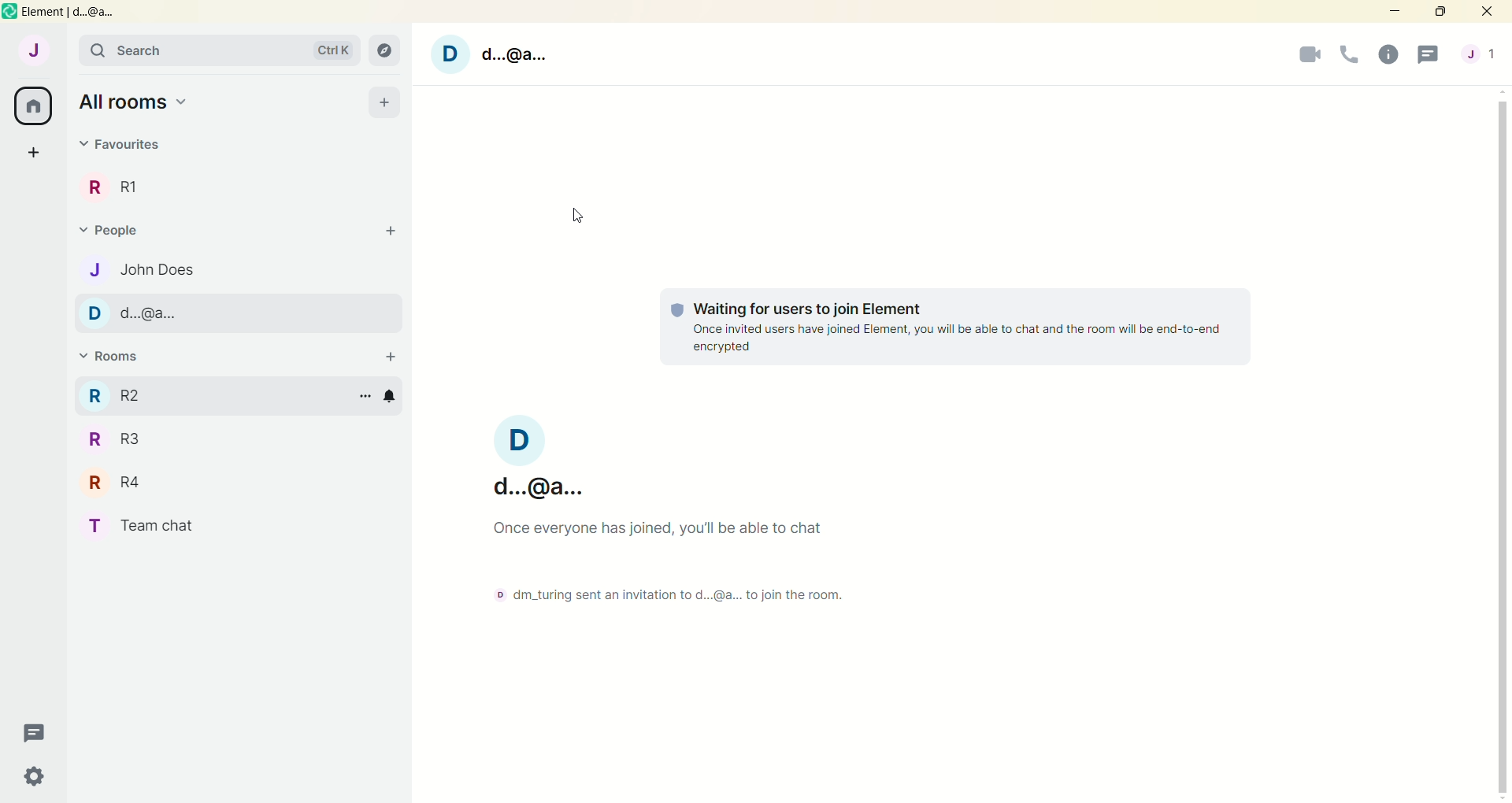 This screenshot has height=803, width=1512. Describe the element at coordinates (1385, 54) in the screenshot. I see `room info` at that location.